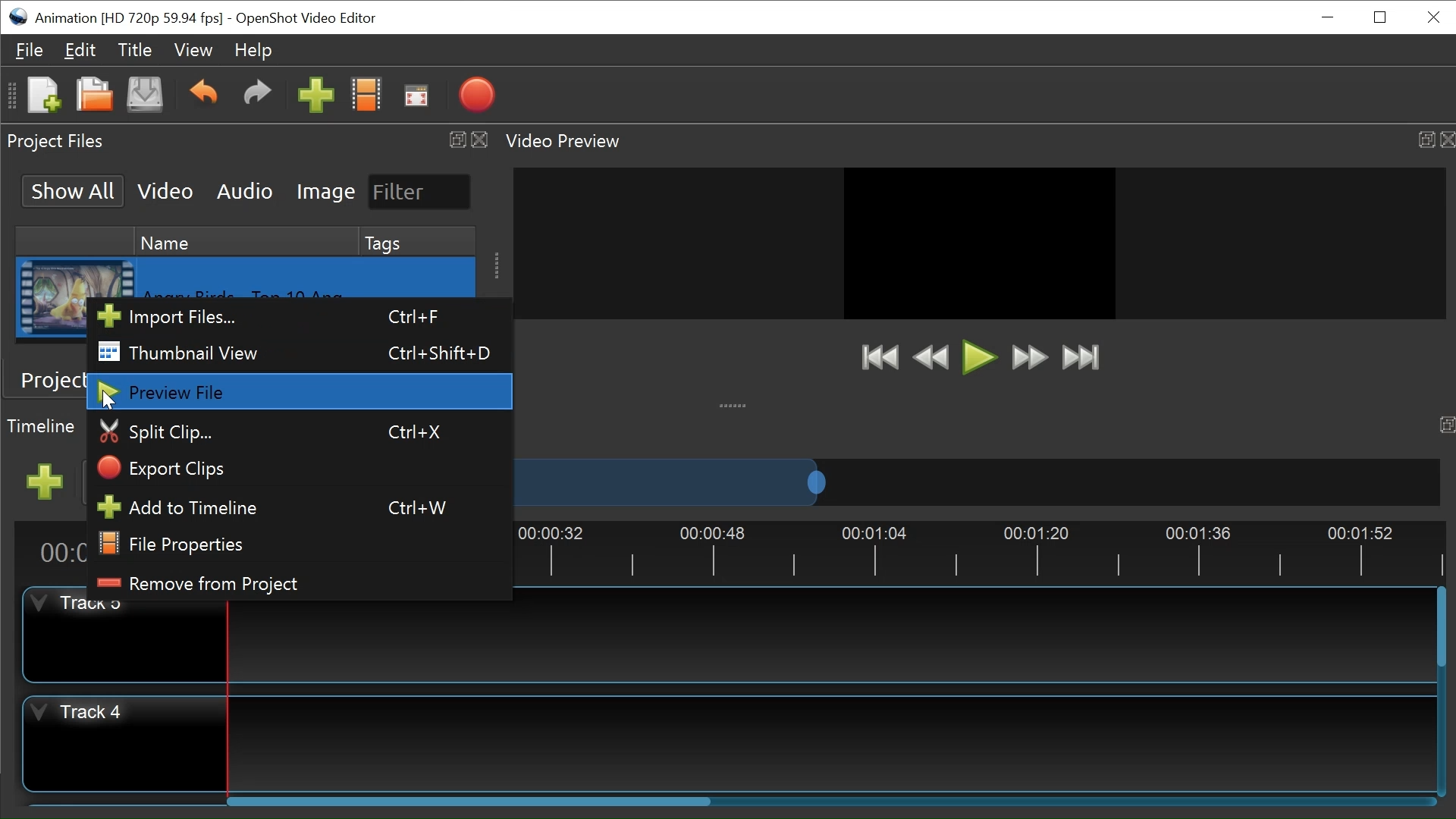  What do you see at coordinates (42, 94) in the screenshot?
I see `New Project` at bounding box center [42, 94].